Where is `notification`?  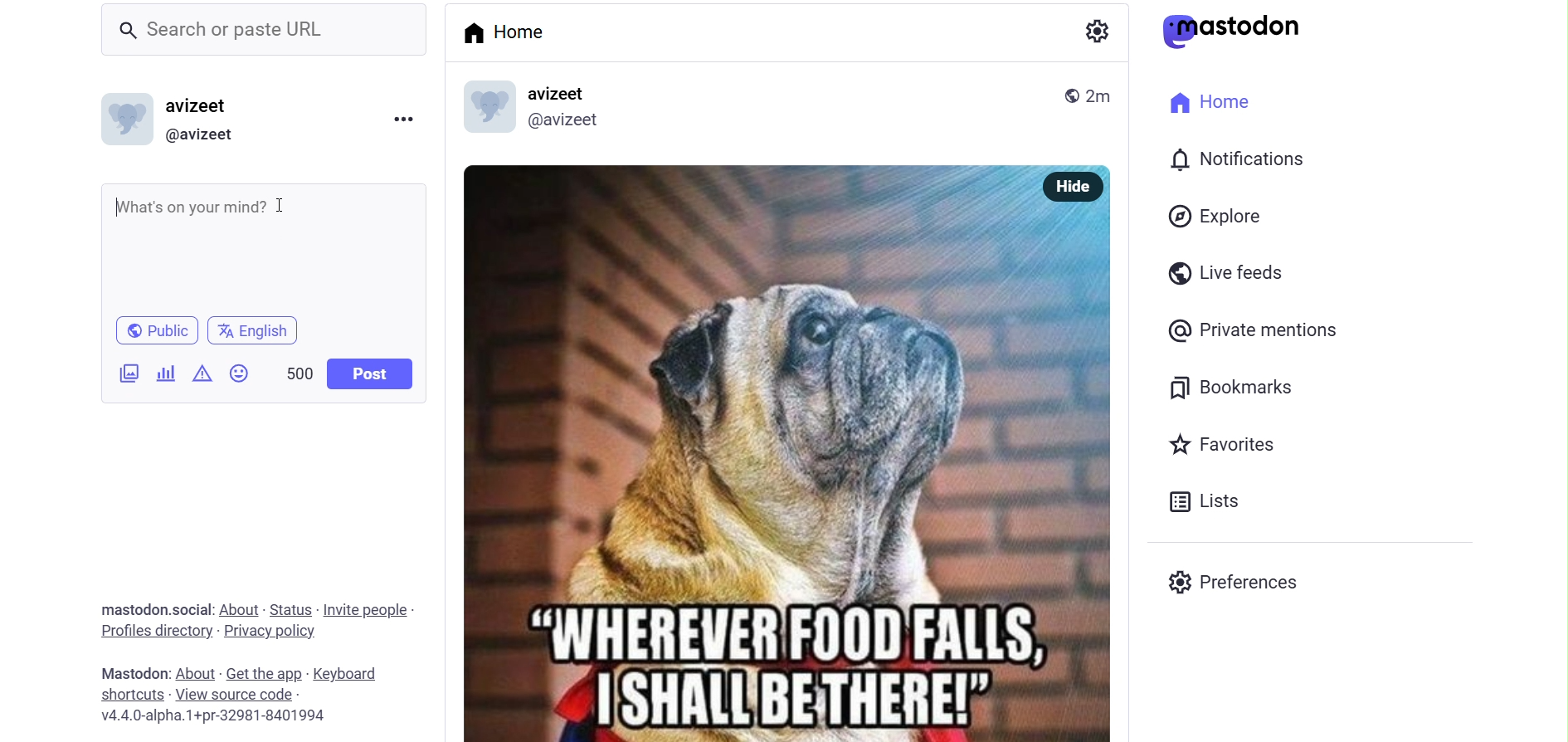
notification is located at coordinates (1237, 160).